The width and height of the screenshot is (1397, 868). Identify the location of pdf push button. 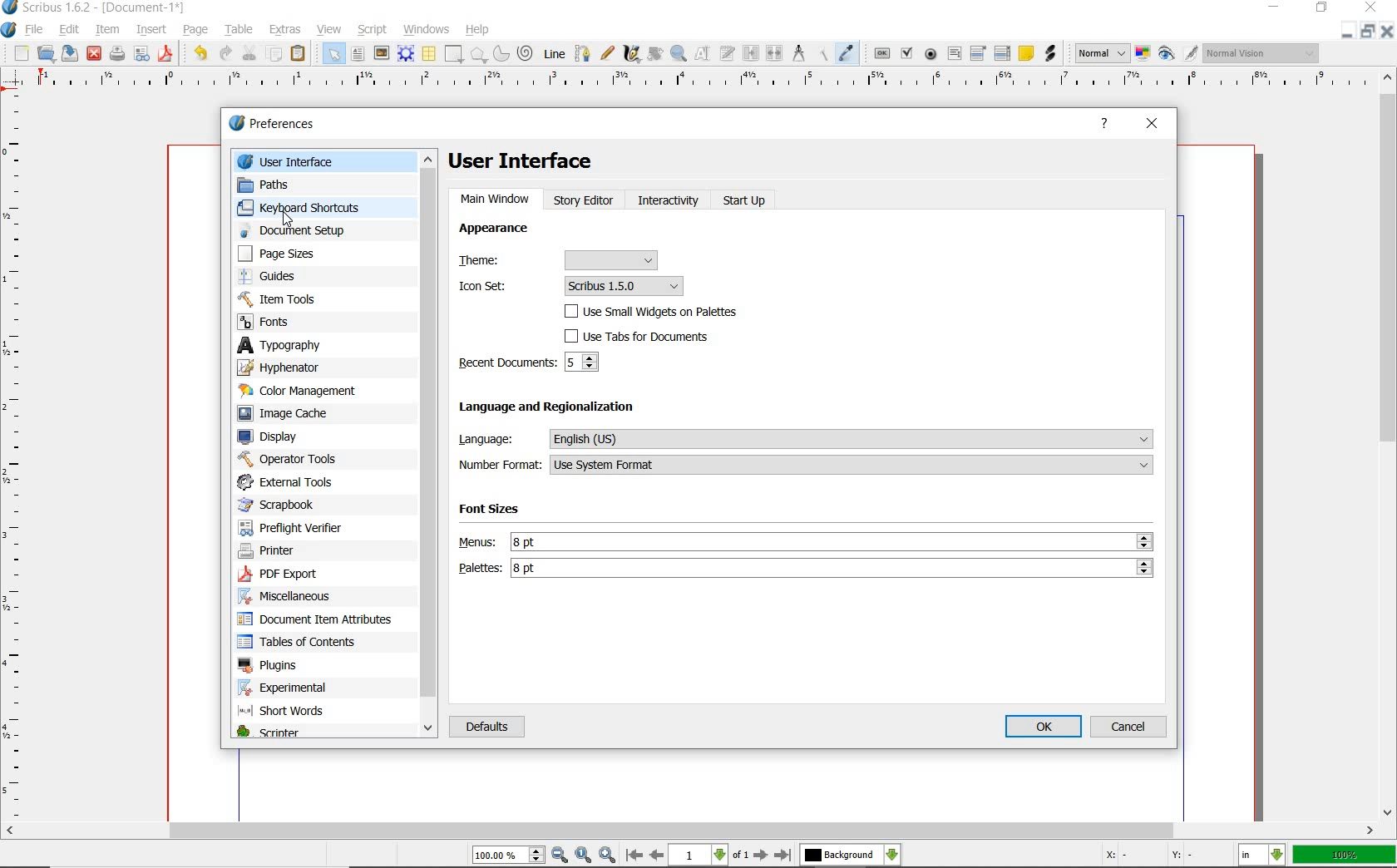
(882, 54).